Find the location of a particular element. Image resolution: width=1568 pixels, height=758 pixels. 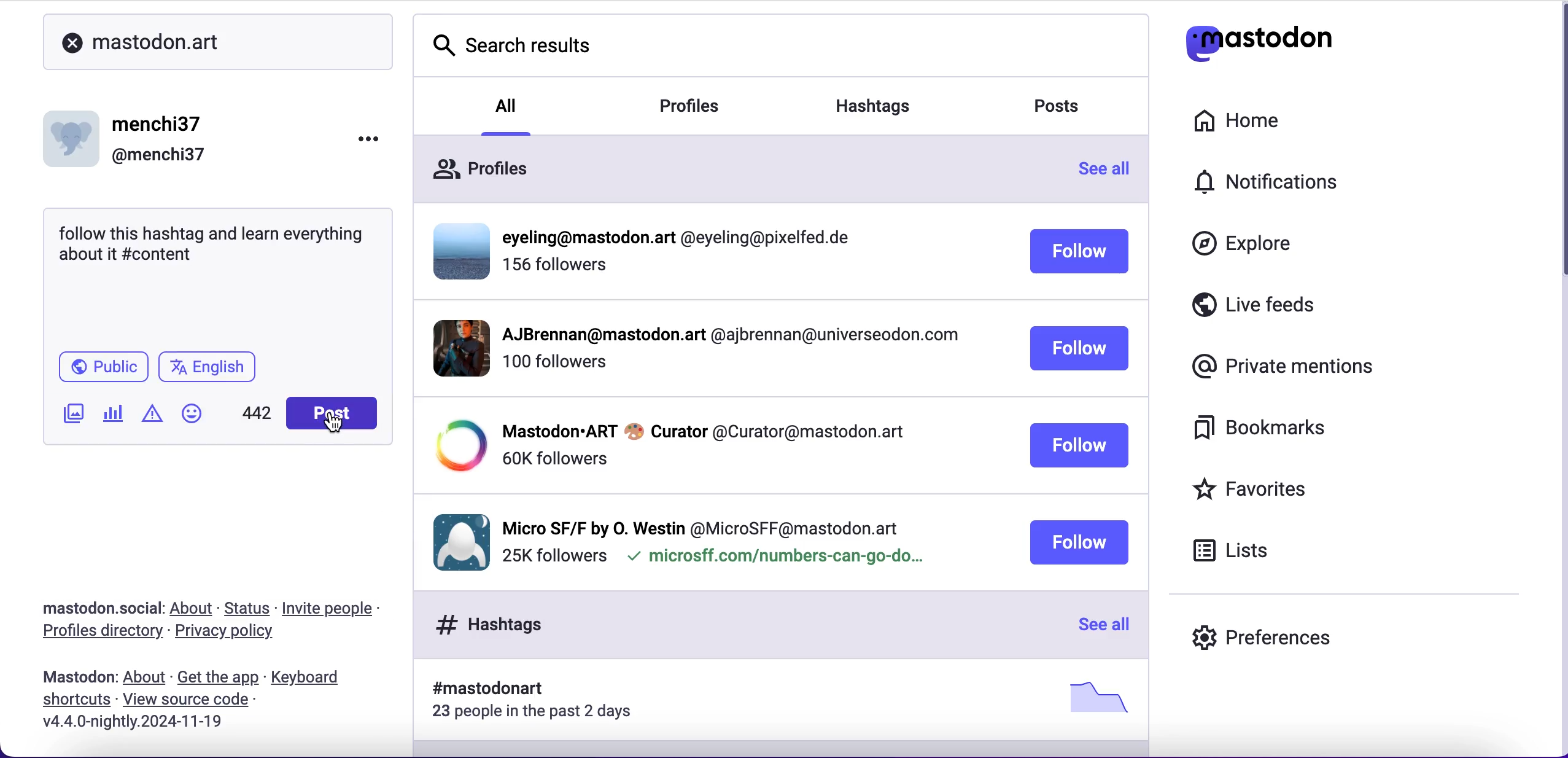

followers is located at coordinates (554, 459).